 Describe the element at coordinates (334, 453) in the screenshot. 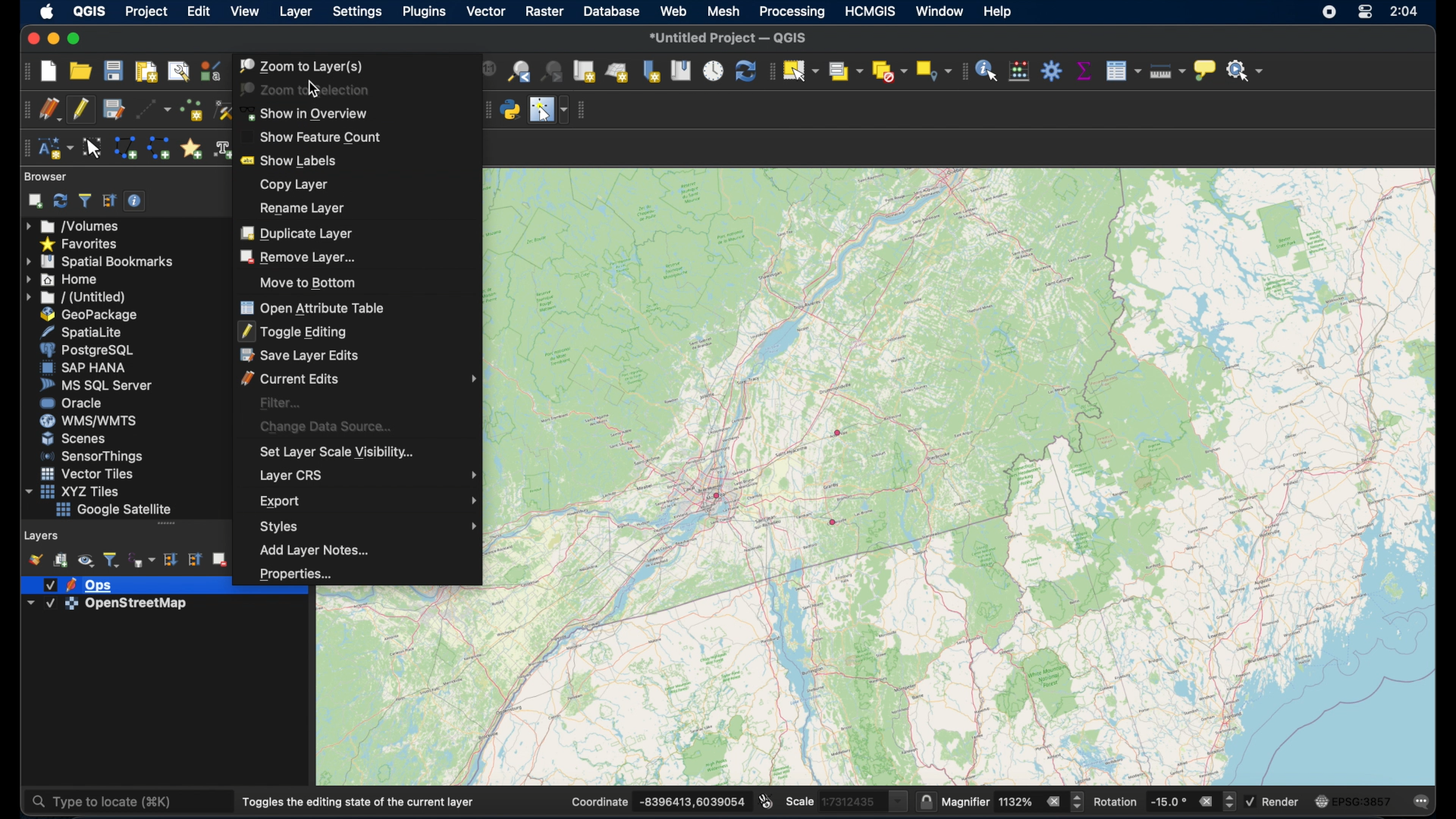

I see `set layer scale visibility` at that location.